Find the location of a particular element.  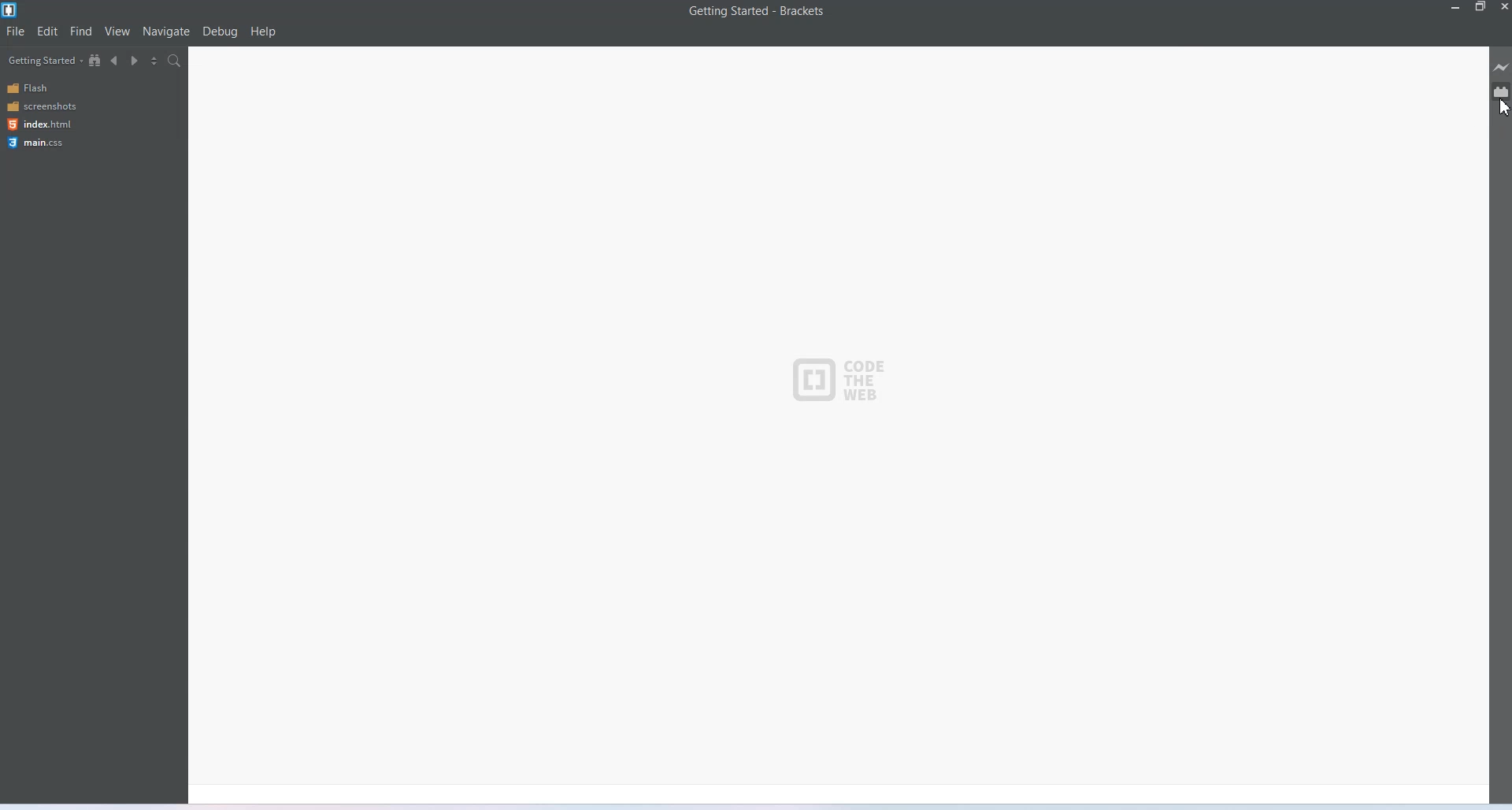

Flash is located at coordinates (39, 89).